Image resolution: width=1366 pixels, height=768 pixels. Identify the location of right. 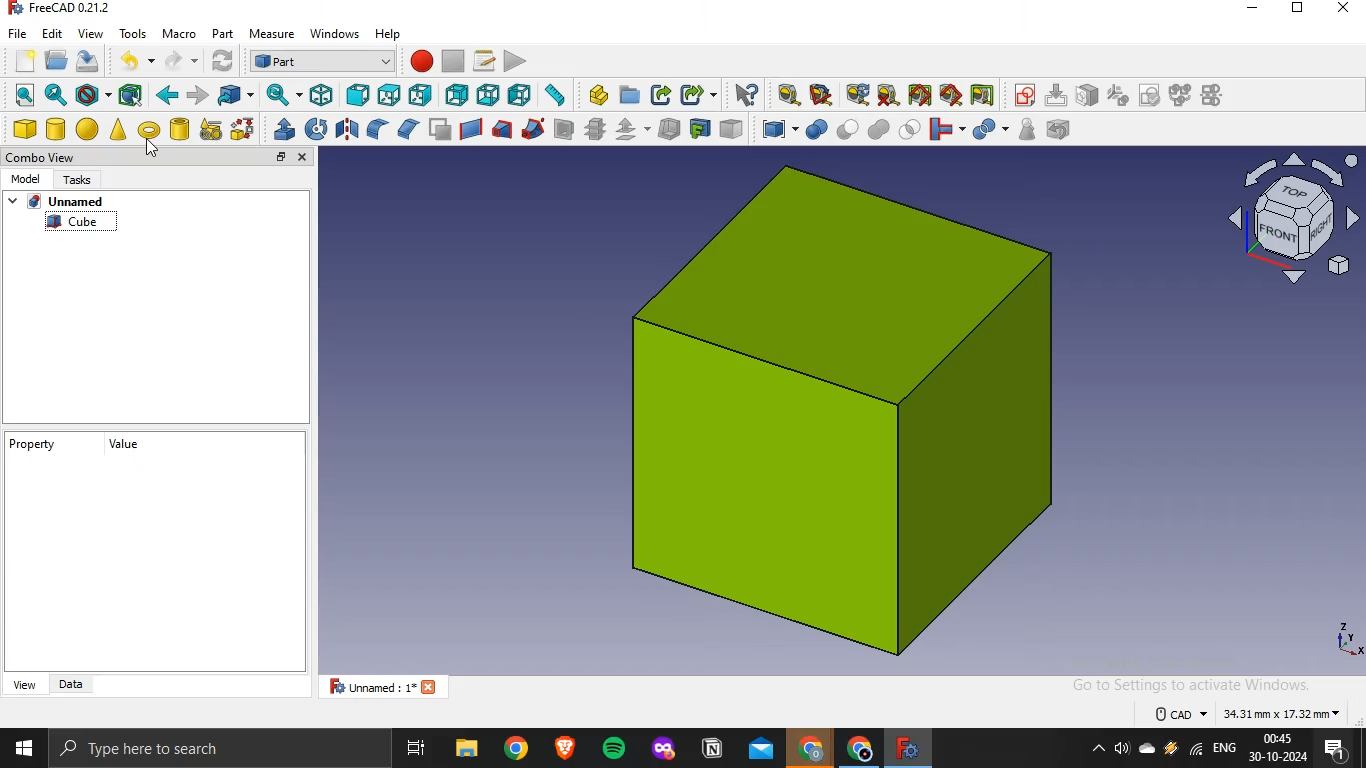
(421, 94).